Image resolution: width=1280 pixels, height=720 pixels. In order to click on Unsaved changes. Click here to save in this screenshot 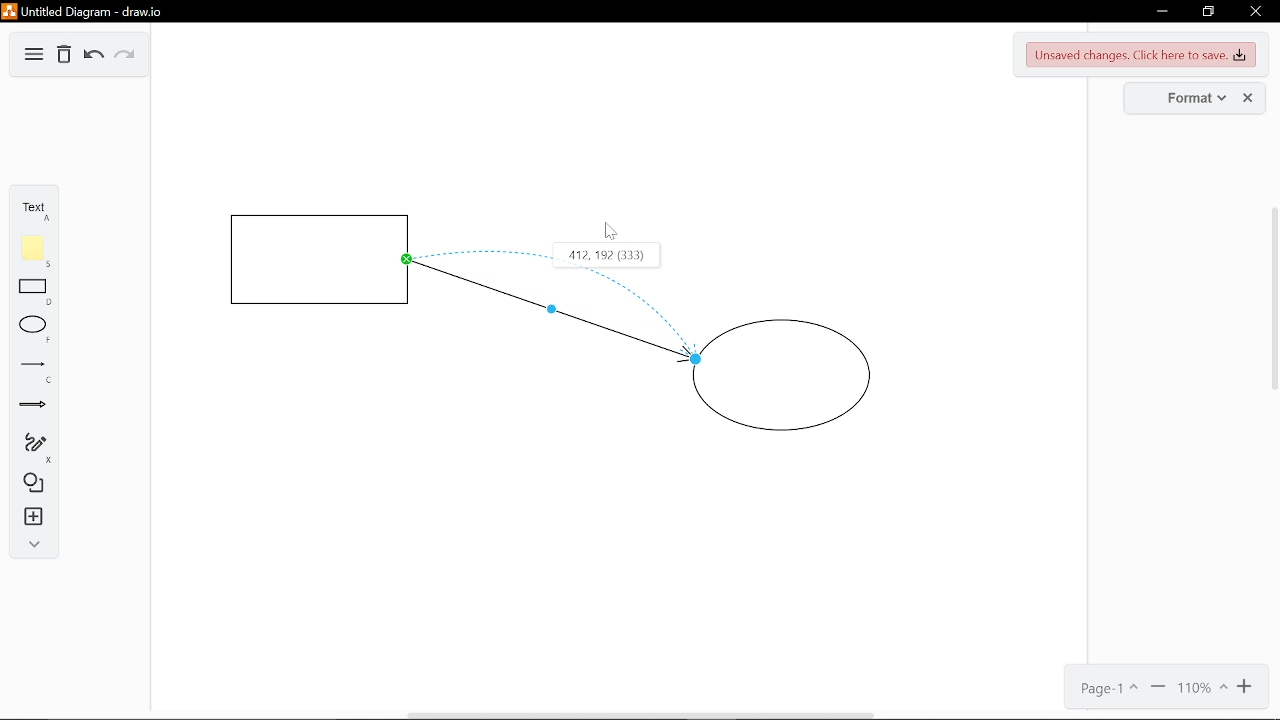, I will do `click(1139, 54)`.